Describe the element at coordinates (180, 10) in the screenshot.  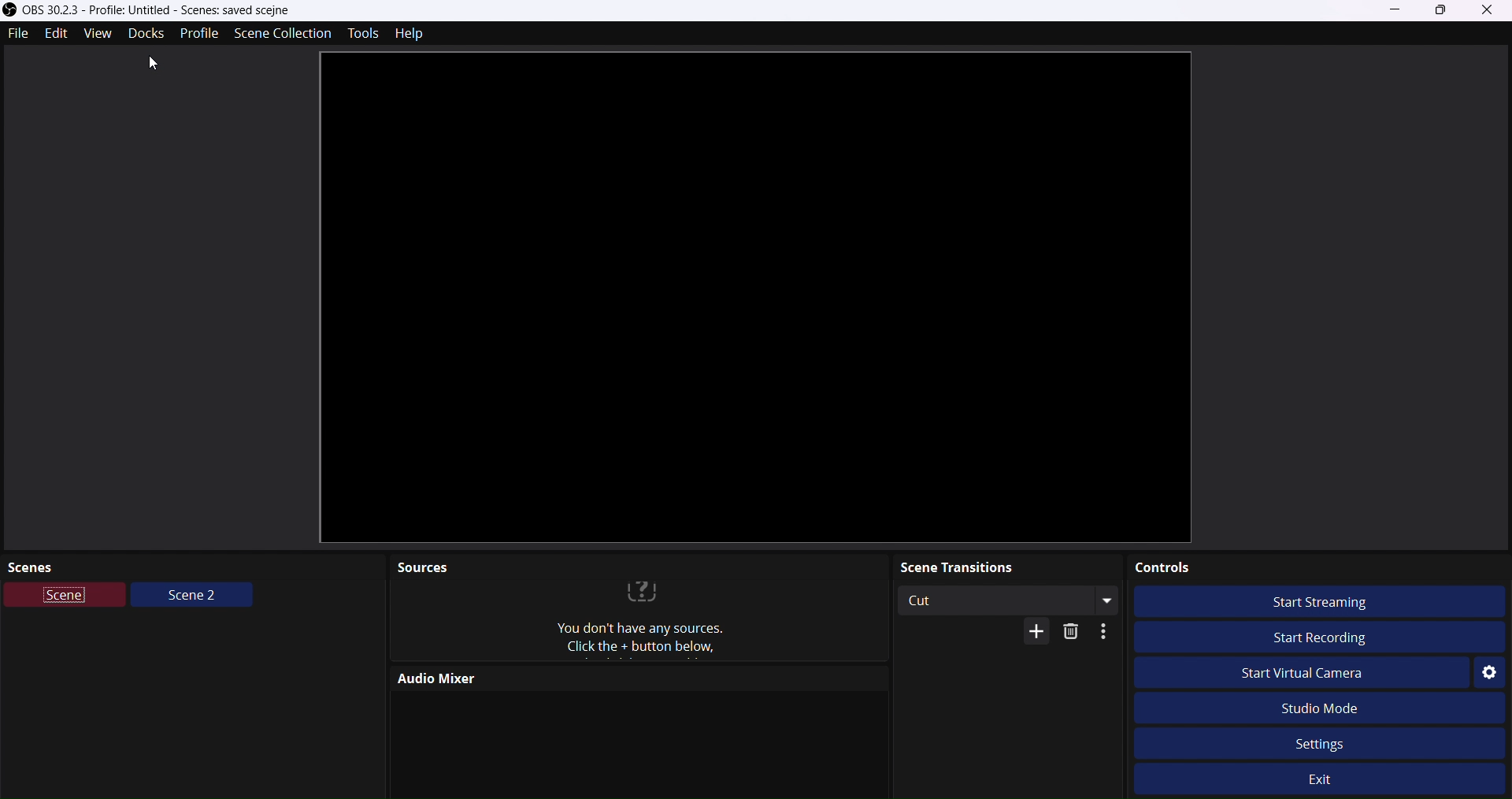
I see `OBS S30.2.3 - profile: Untitled - Scenes: saved scejne` at that location.